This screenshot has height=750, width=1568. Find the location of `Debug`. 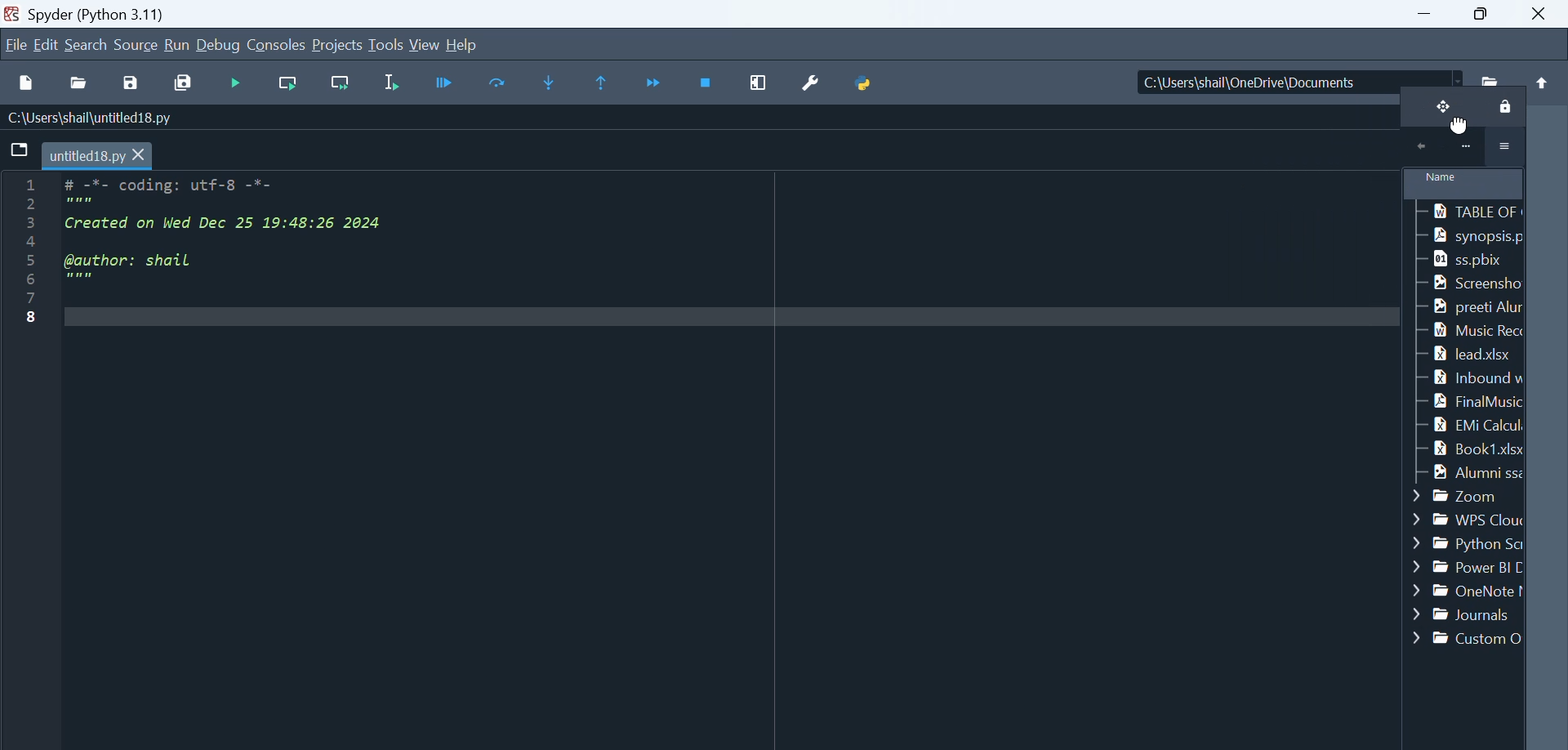

Debug is located at coordinates (220, 46).